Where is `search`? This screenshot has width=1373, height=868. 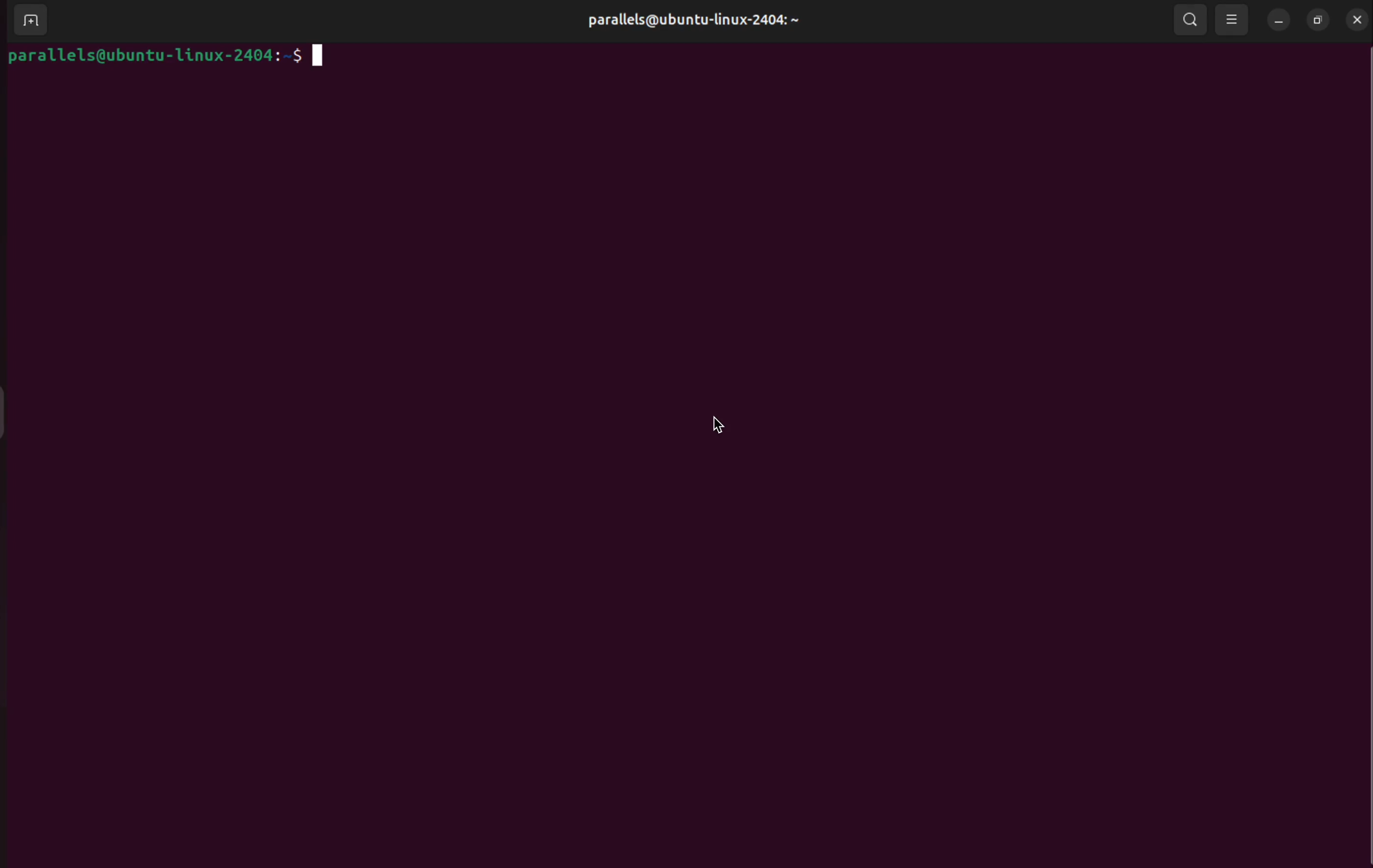 search is located at coordinates (1194, 21).